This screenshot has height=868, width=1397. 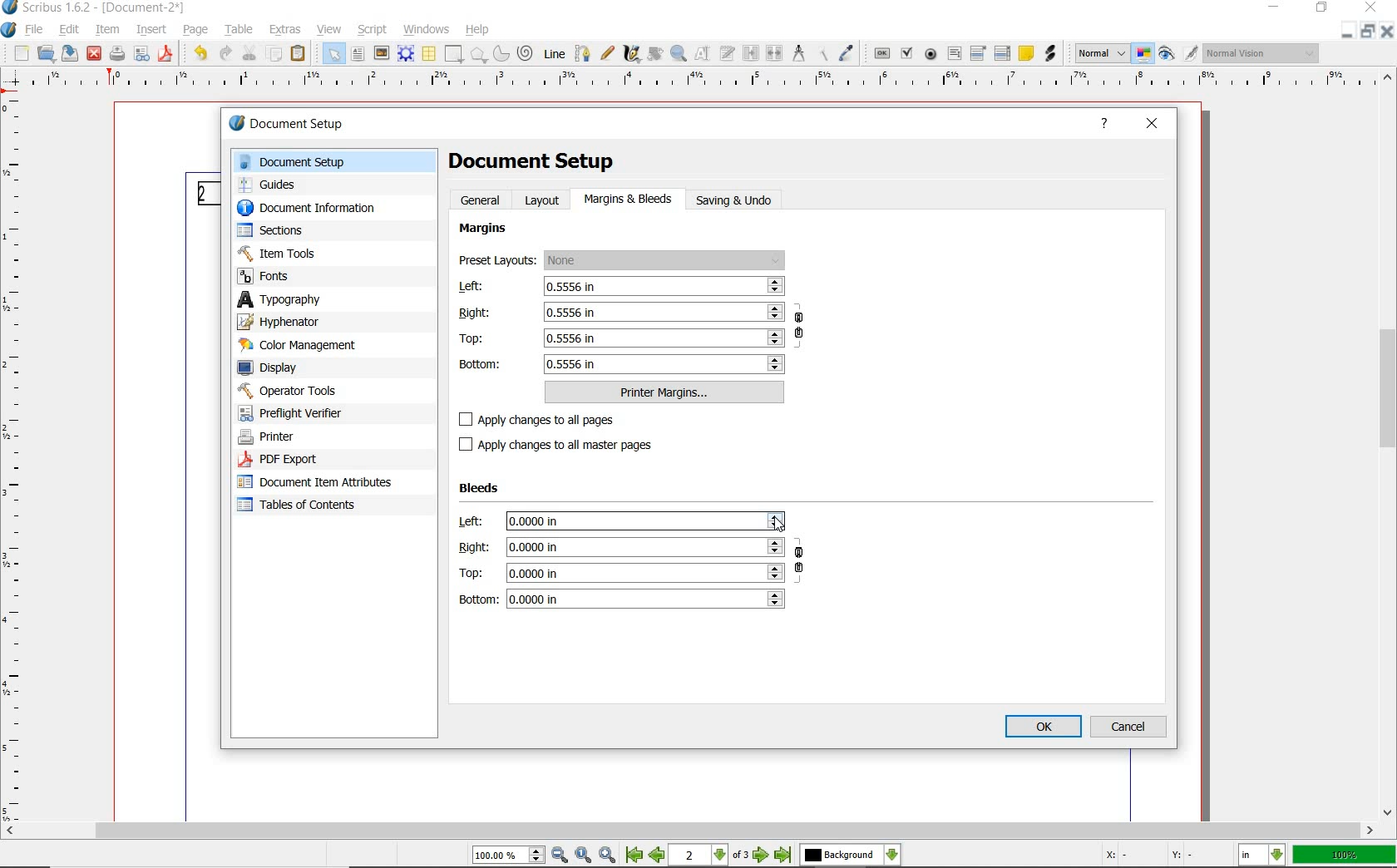 What do you see at coordinates (979, 55) in the screenshot?
I see `pdf combo box` at bounding box center [979, 55].